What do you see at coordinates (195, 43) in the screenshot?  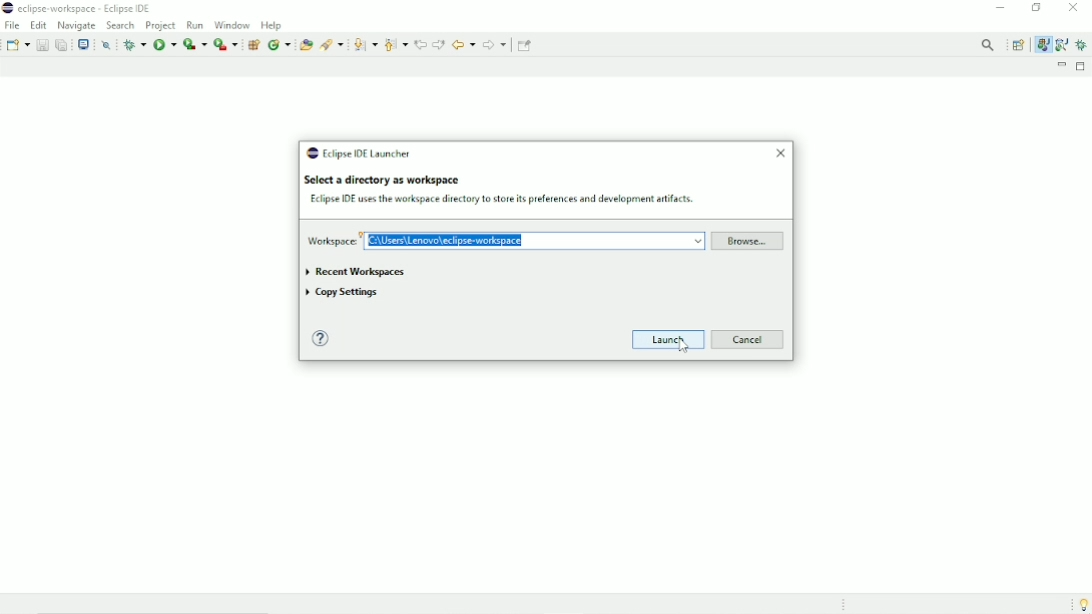 I see `Coverage` at bounding box center [195, 43].